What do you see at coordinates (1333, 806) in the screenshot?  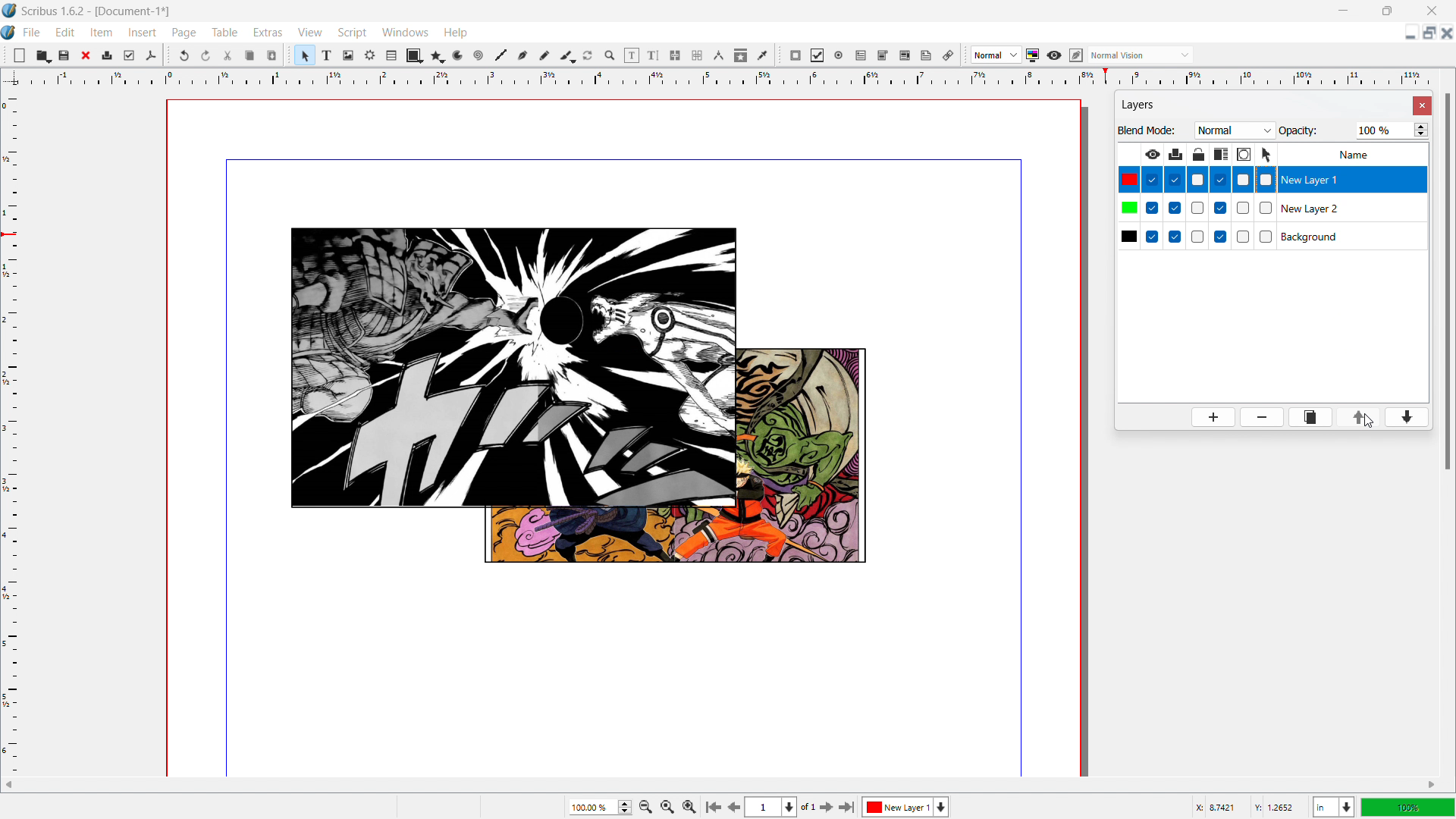 I see `select current unit` at bounding box center [1333, 806].